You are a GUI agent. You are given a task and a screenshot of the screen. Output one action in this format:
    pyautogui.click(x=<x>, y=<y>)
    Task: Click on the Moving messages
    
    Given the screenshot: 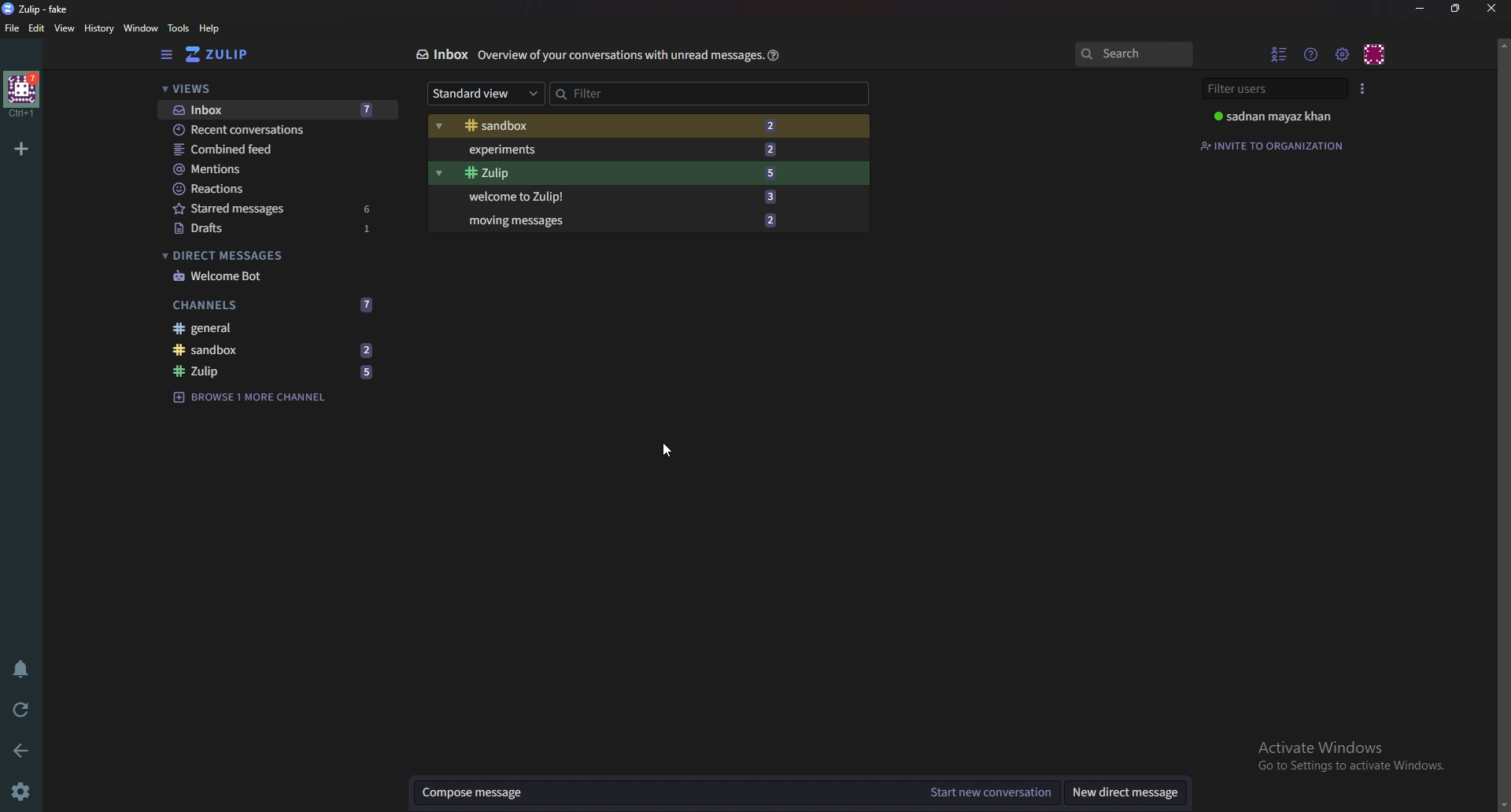 What is the action you would take?
    pyautogui.click(x=623, y=220)
    